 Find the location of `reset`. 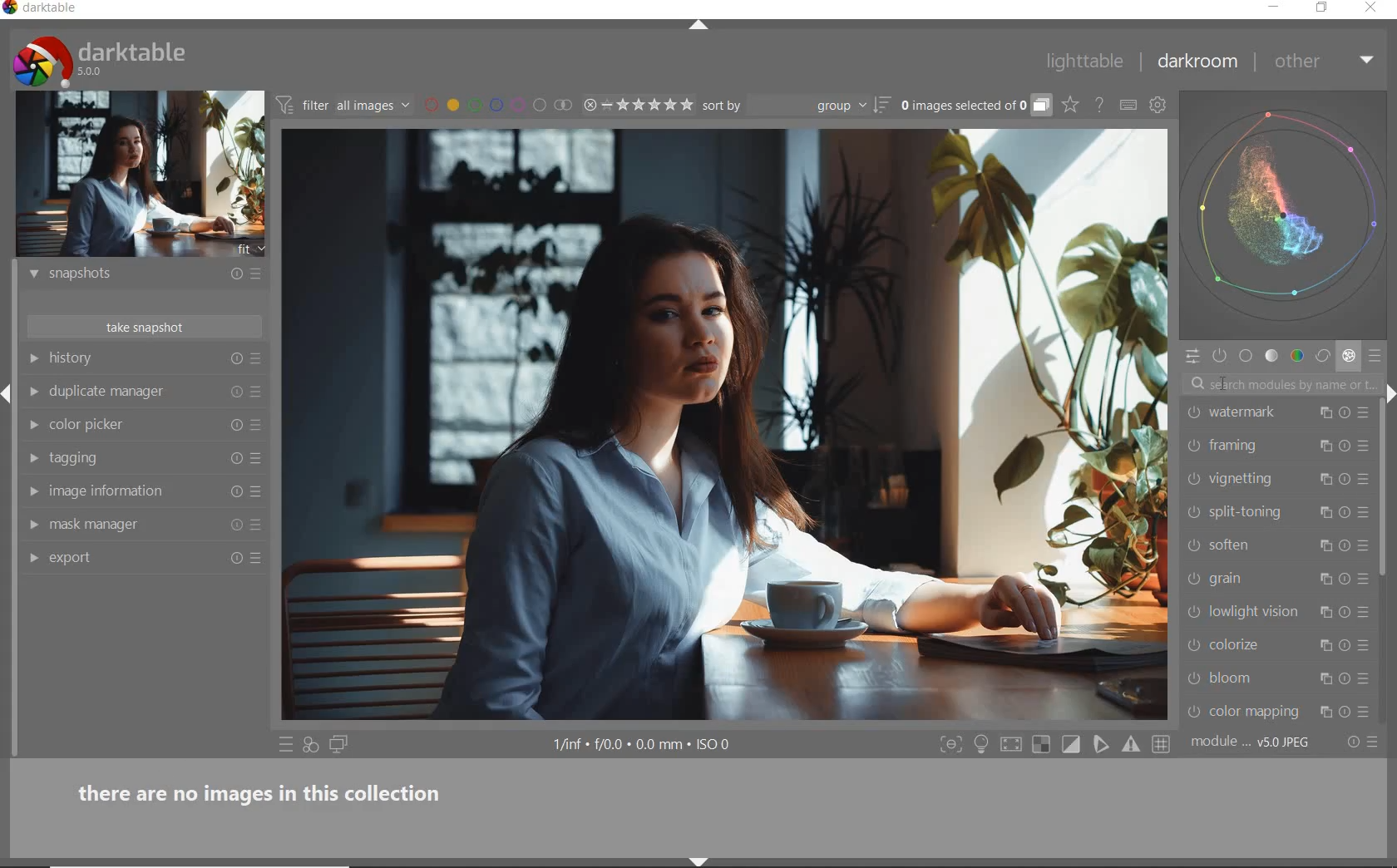

reset is located at coordinates (235, 528).